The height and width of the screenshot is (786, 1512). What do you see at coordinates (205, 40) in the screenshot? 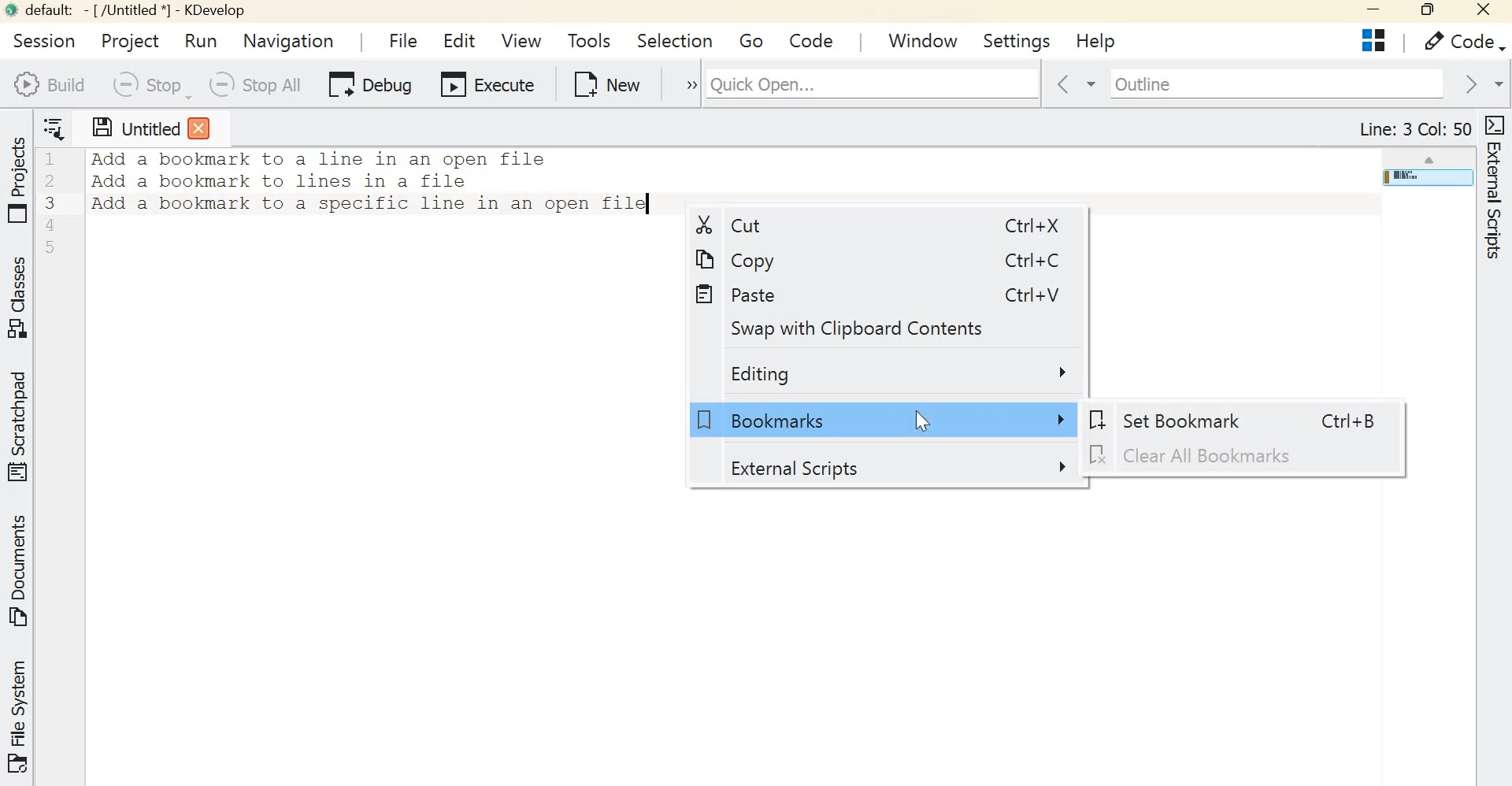
I see `Run` at bounding box center [205, 40].